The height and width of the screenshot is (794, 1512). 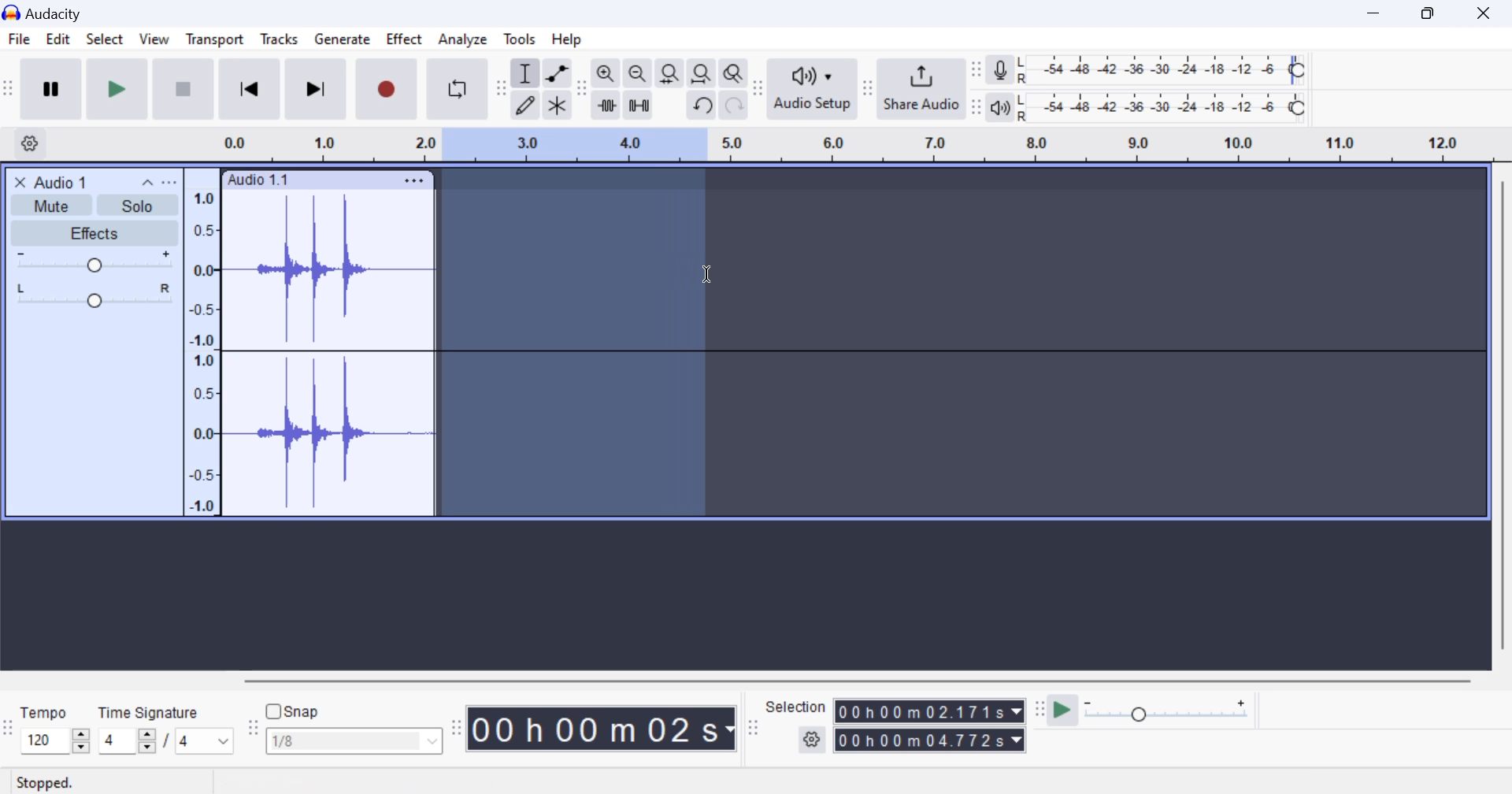 What do you see at coordinates (405, 42) in the screenshot?
I see `Effect` at bounding box center [405, 42].